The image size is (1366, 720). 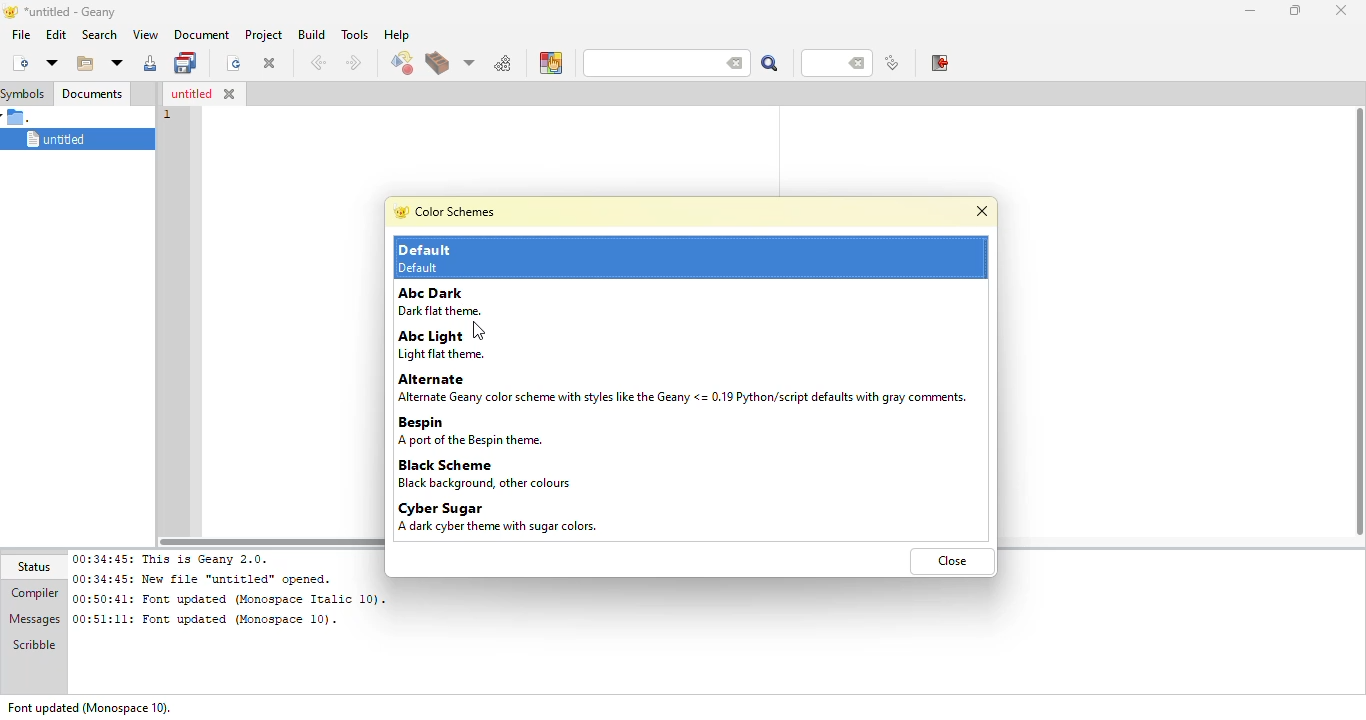 I want to click on logo, so click(x=9, y=11).